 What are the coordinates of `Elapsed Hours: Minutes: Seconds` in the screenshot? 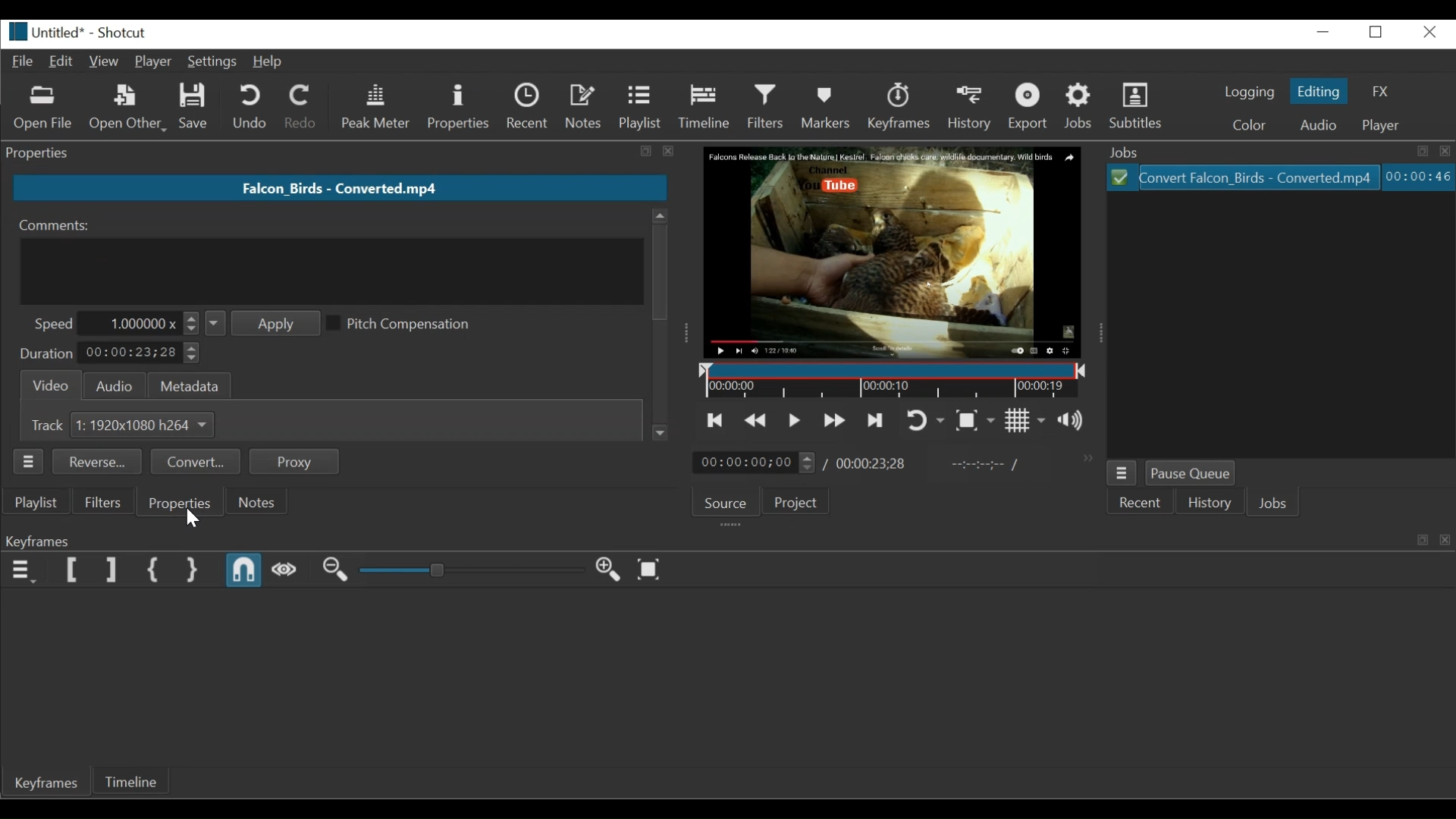 It's located at (1419, 177).